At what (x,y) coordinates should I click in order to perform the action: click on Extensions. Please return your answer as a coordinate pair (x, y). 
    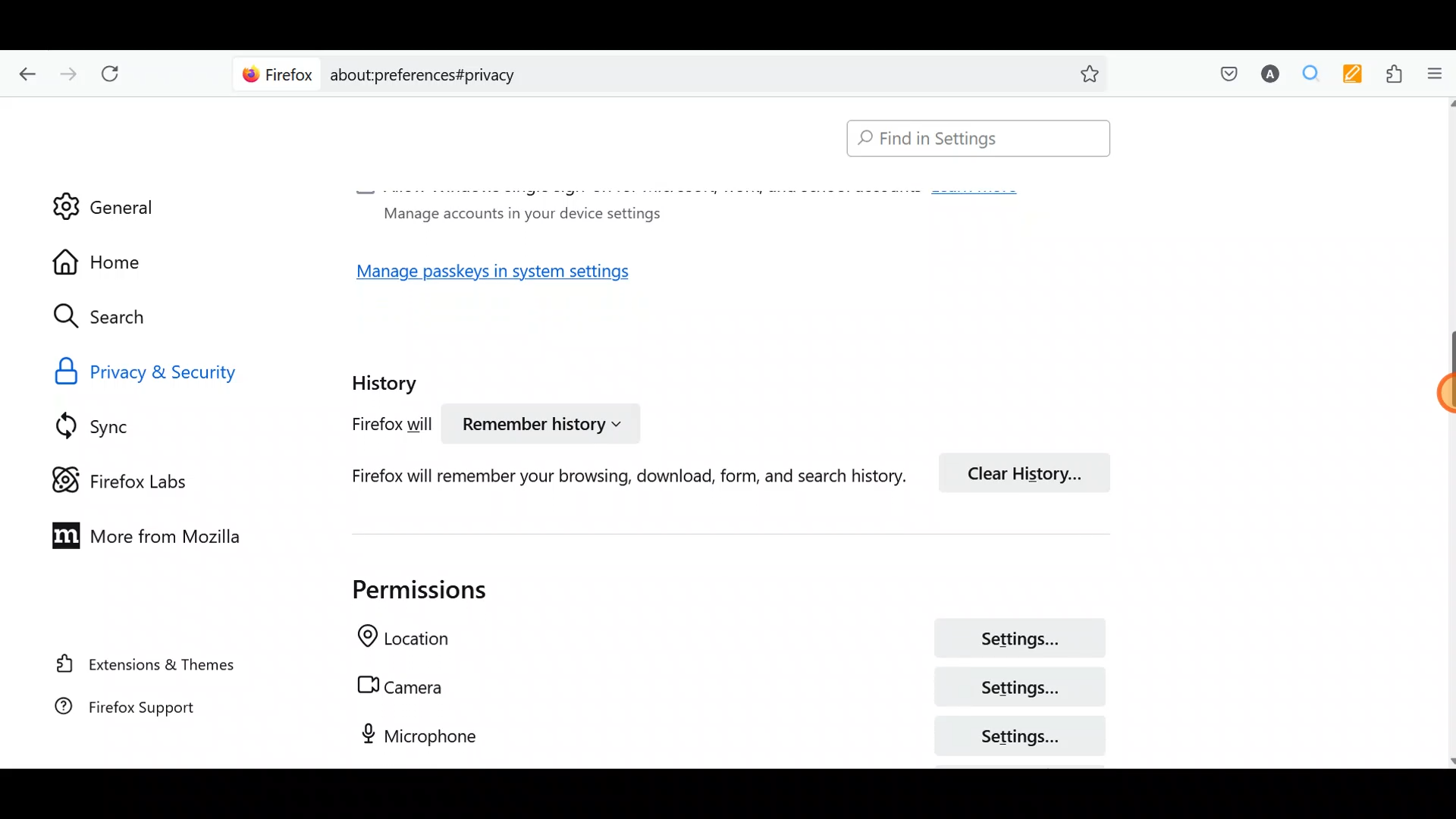
    Looking at the image, I should click on (1390, 74).